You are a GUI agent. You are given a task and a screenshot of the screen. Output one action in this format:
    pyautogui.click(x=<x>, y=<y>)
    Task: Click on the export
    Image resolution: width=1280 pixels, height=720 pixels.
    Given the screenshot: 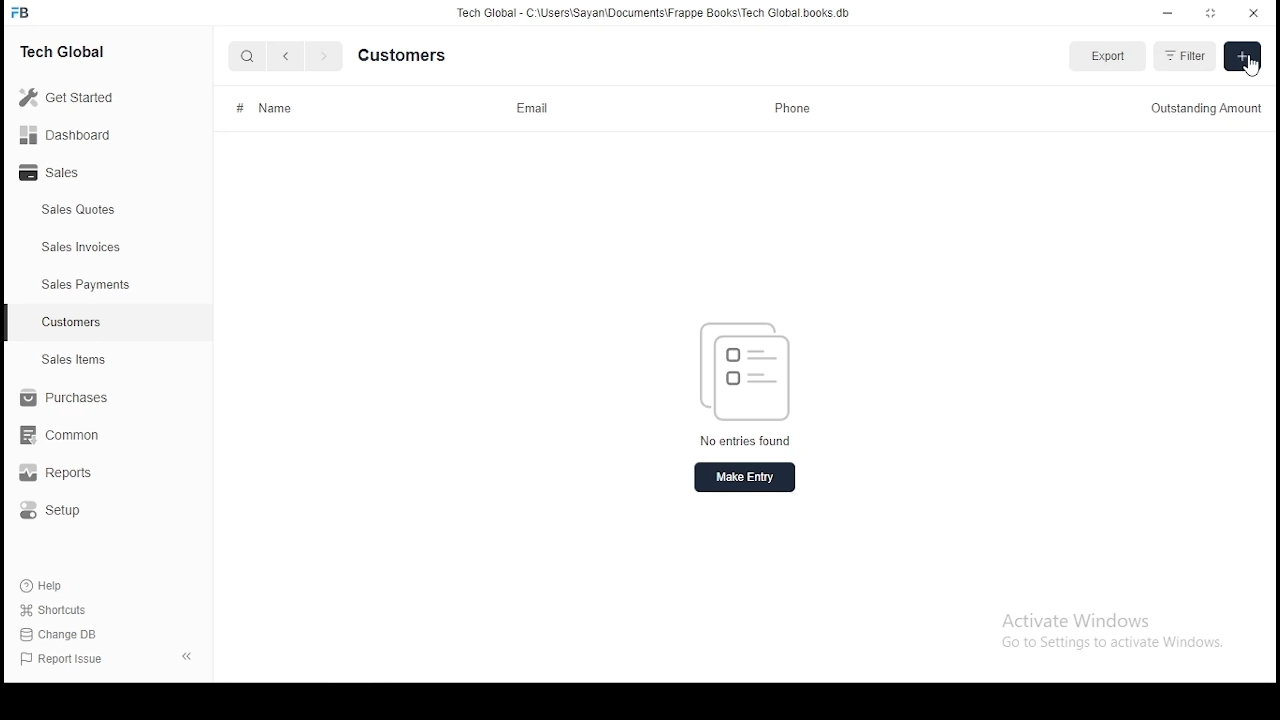 What is the action you would take?
    pyautogui.click(x=1105, y=58)
    